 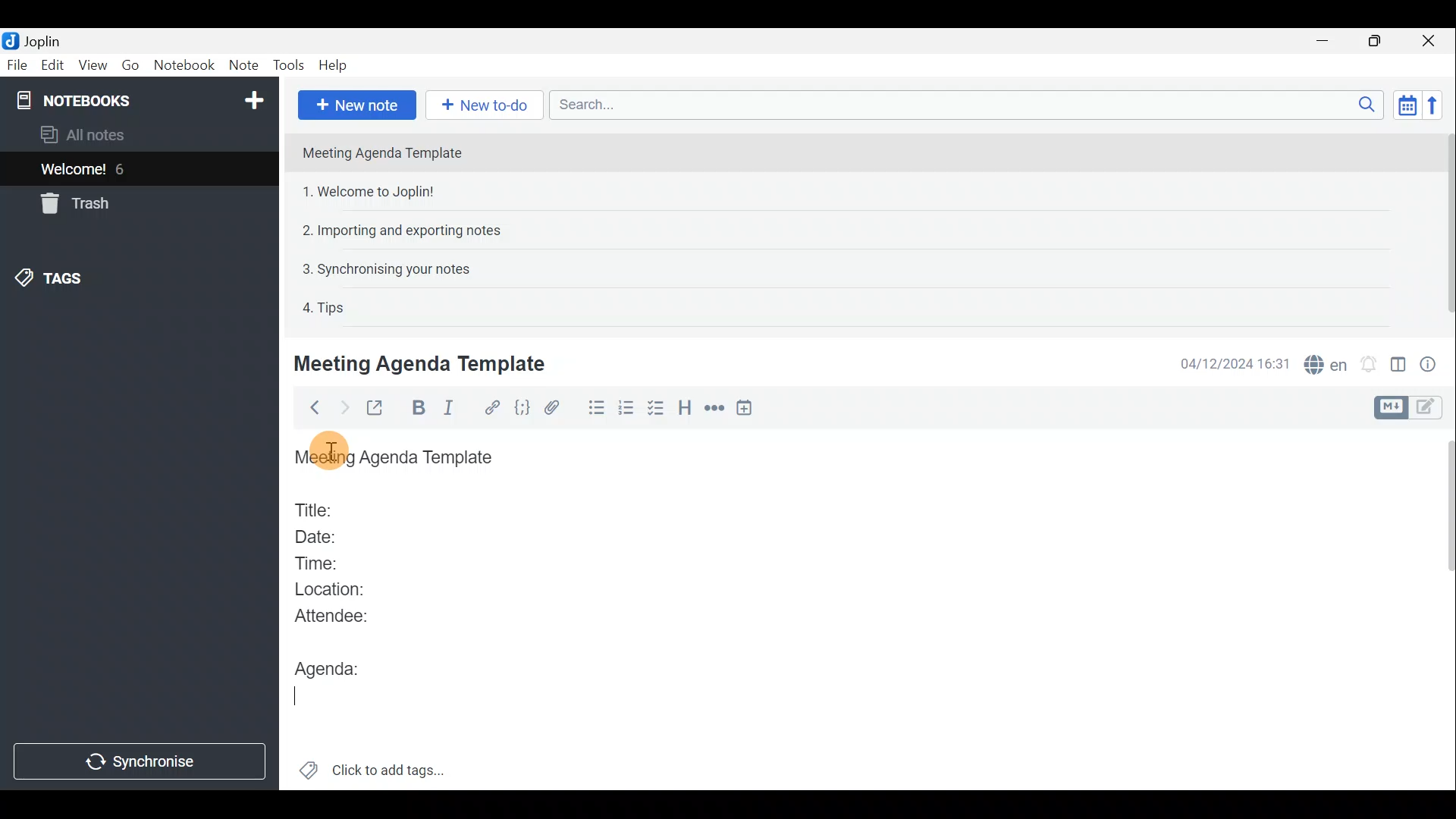 What do you see at coordinates (343, 615) in the screenshot?
I see `Attendee:` at bounding box center [343, 615].